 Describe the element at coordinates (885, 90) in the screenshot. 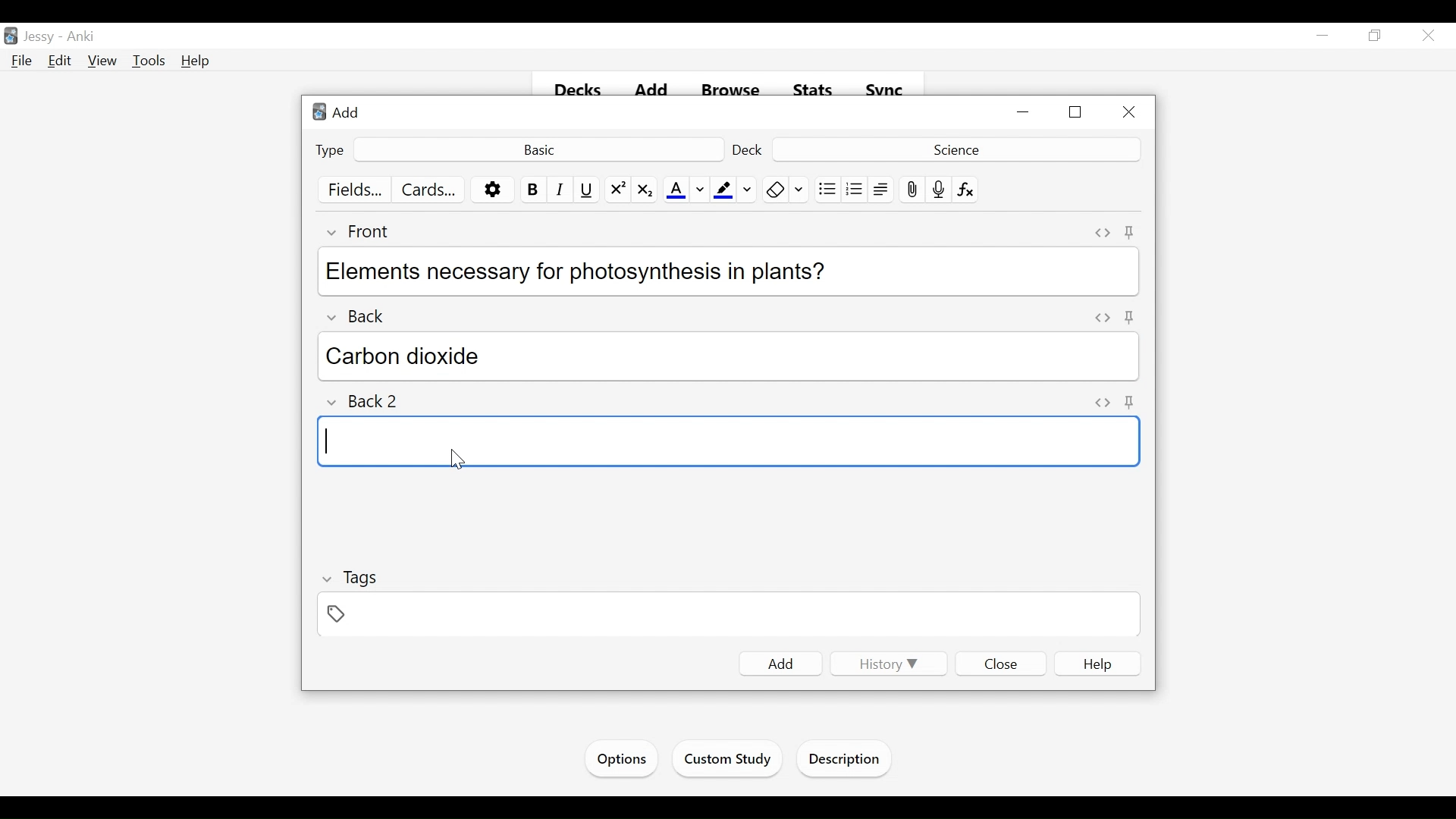

I see `Sync` at that location.